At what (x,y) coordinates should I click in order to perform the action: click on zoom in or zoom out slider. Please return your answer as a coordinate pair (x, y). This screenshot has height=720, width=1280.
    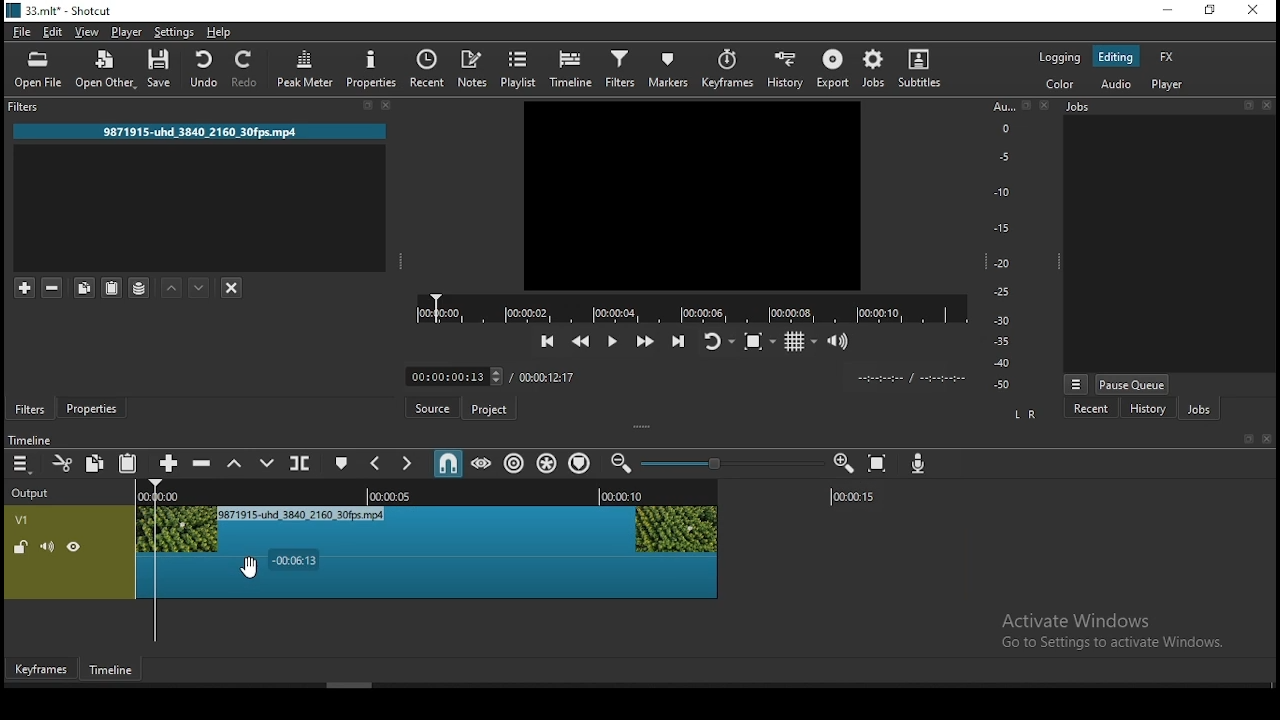
    Looking at the image, I should click on (727, 464).